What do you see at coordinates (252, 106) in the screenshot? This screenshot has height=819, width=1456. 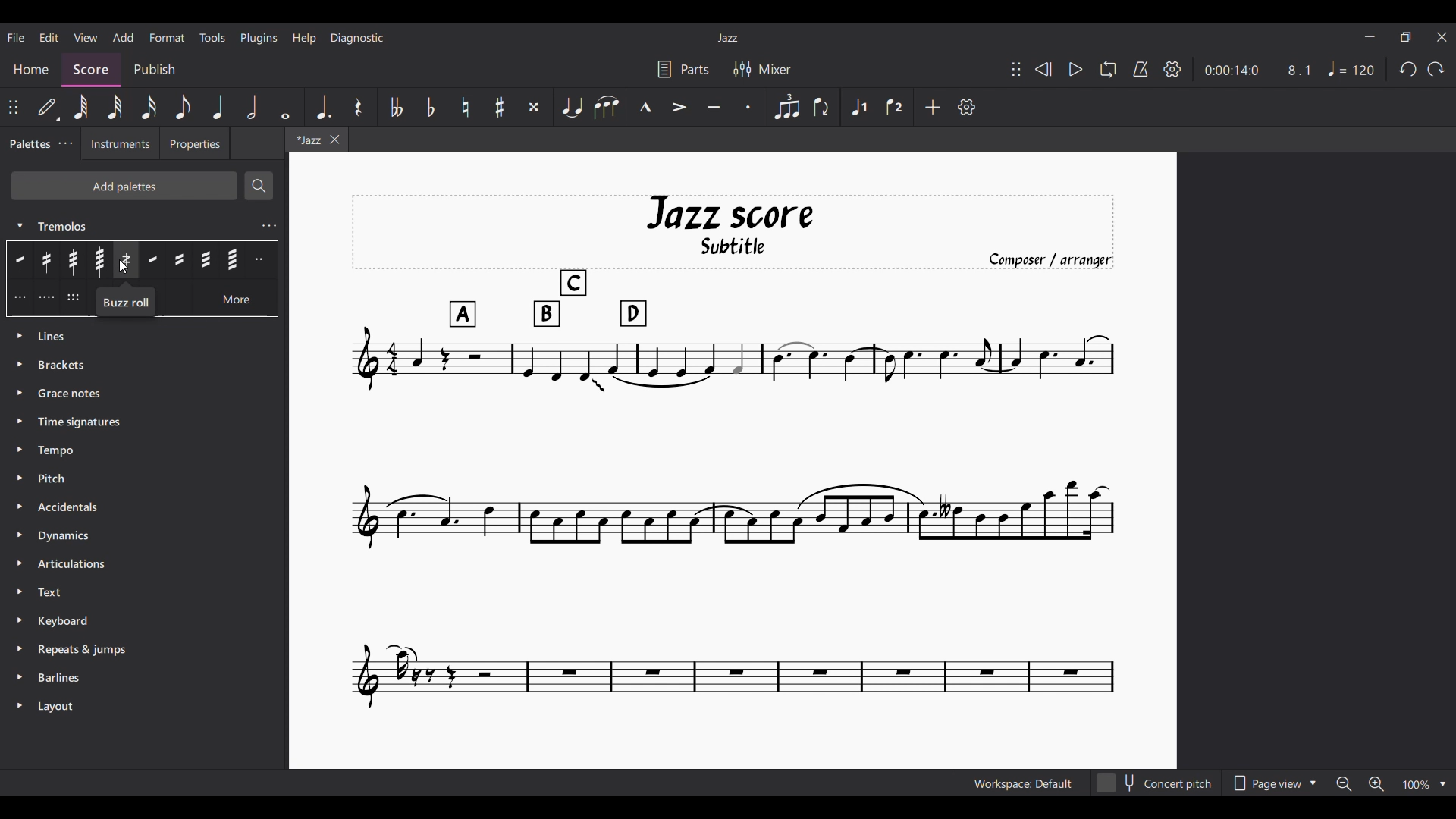 I see `Half note` at bounding box center [252, 106].